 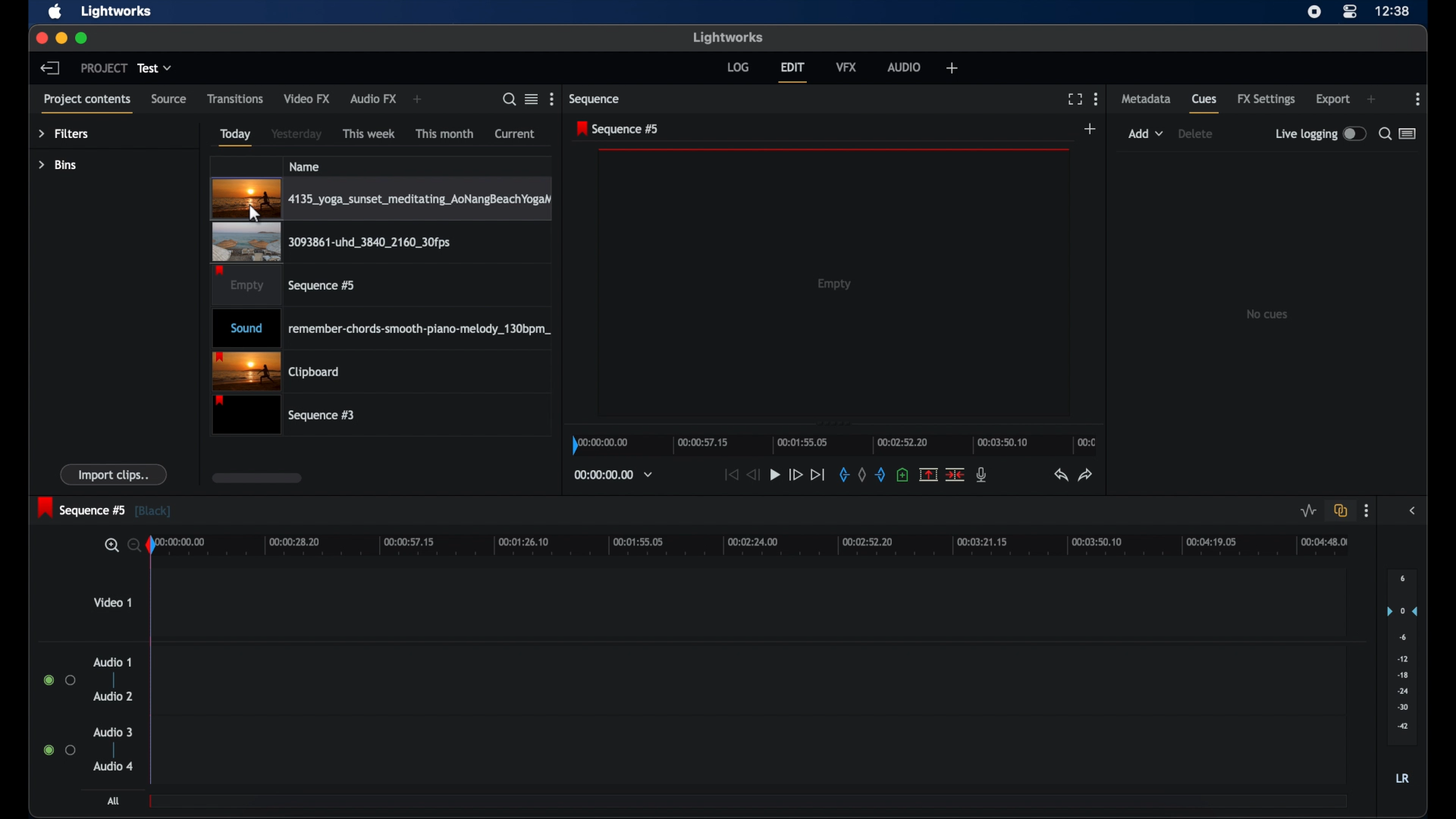 I want to click on audio 2, so click(x=112, y=696).